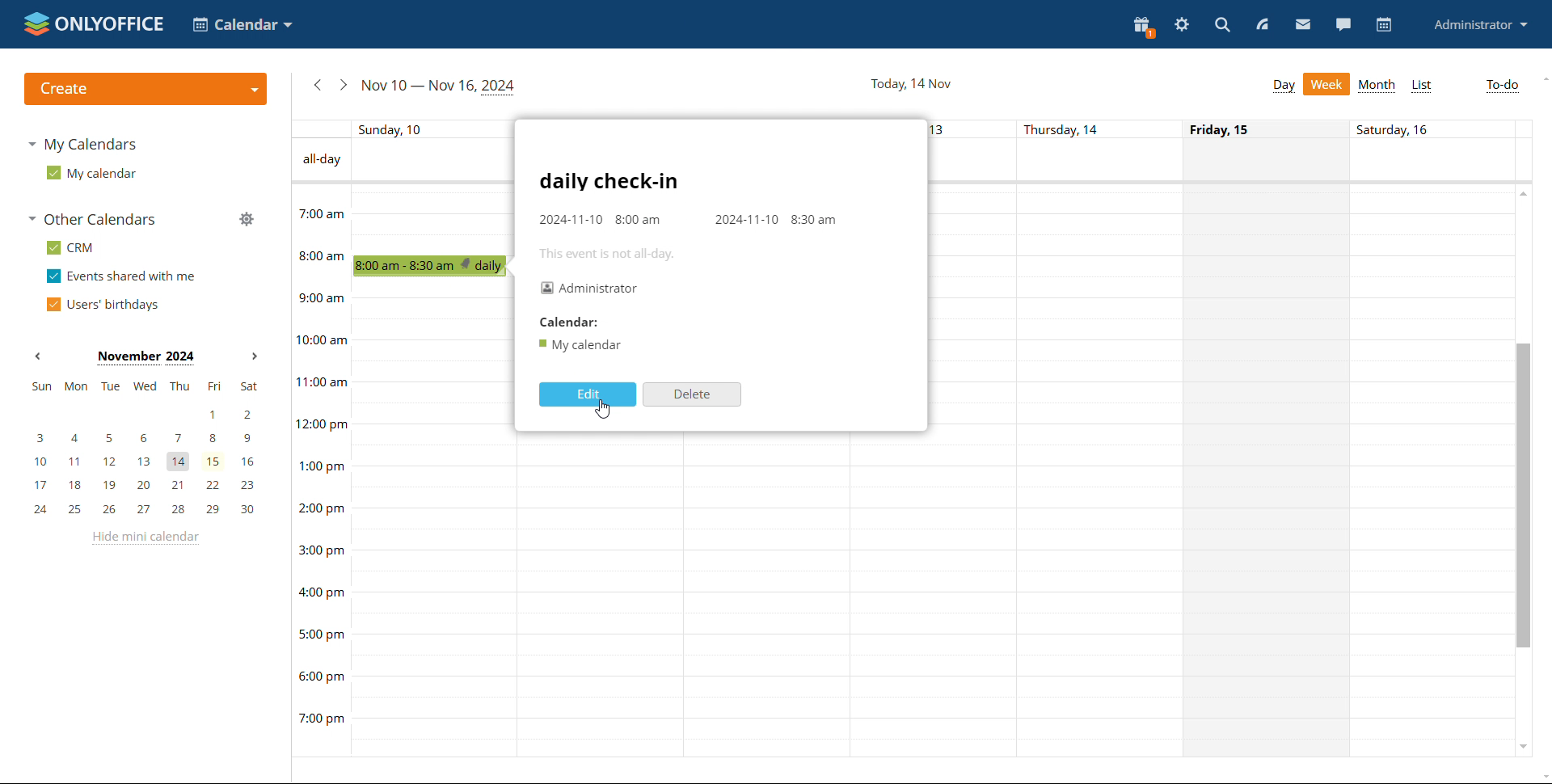  Describe the element at coordinates (70, 247) in the screenshot. I see `crm` at that location.